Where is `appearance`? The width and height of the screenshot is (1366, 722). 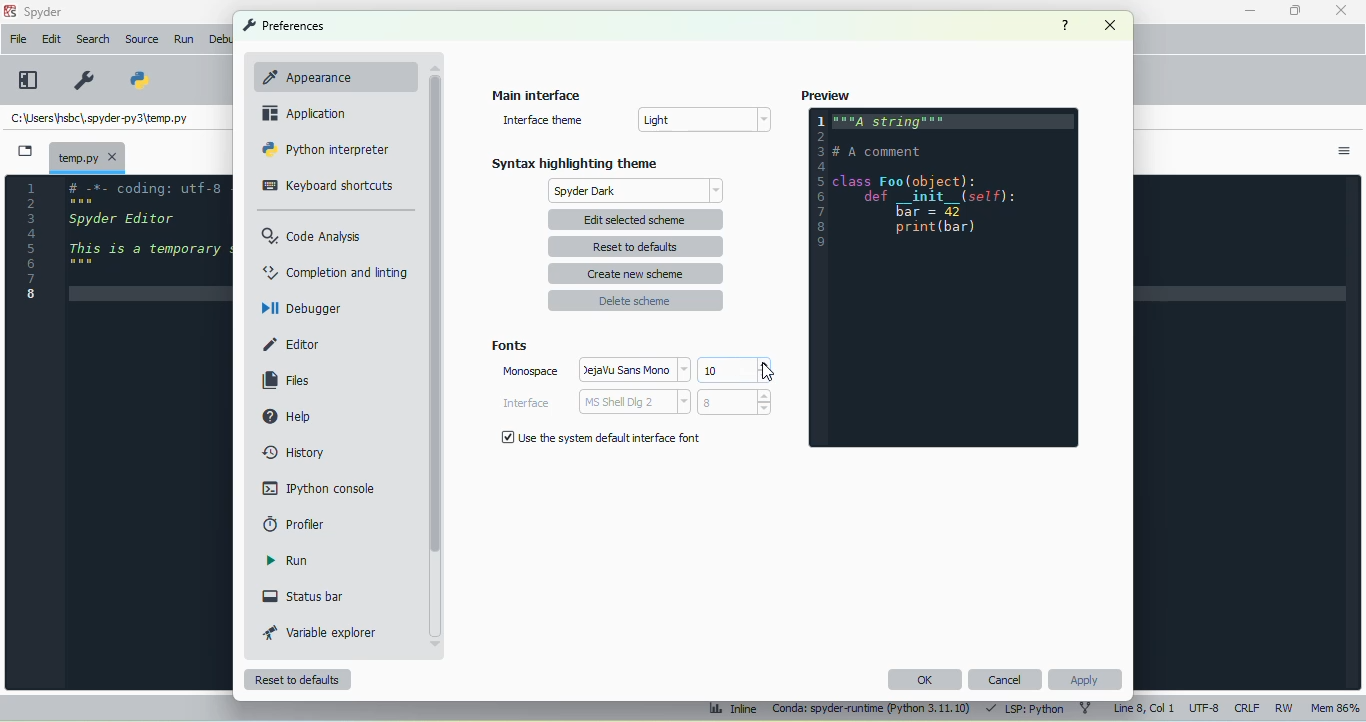
appearance is located at coordinates (328, 76).